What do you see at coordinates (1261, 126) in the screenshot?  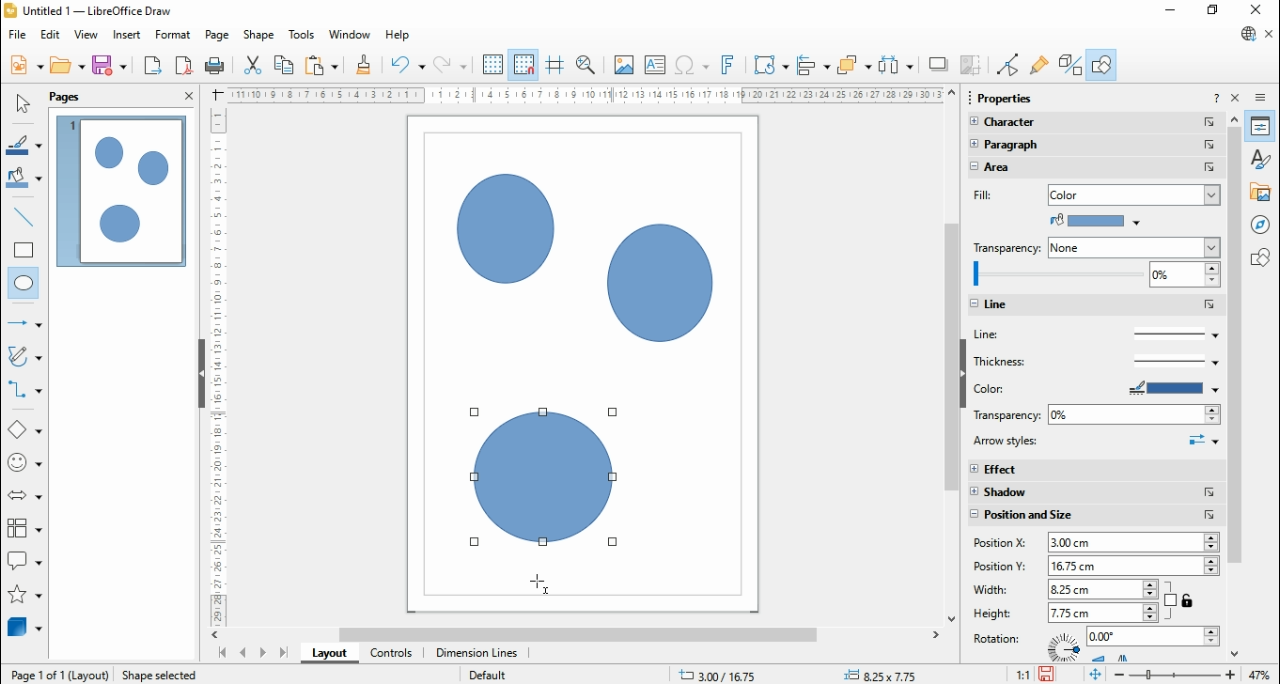 I see `properties` at bounding box center [1261, 126].